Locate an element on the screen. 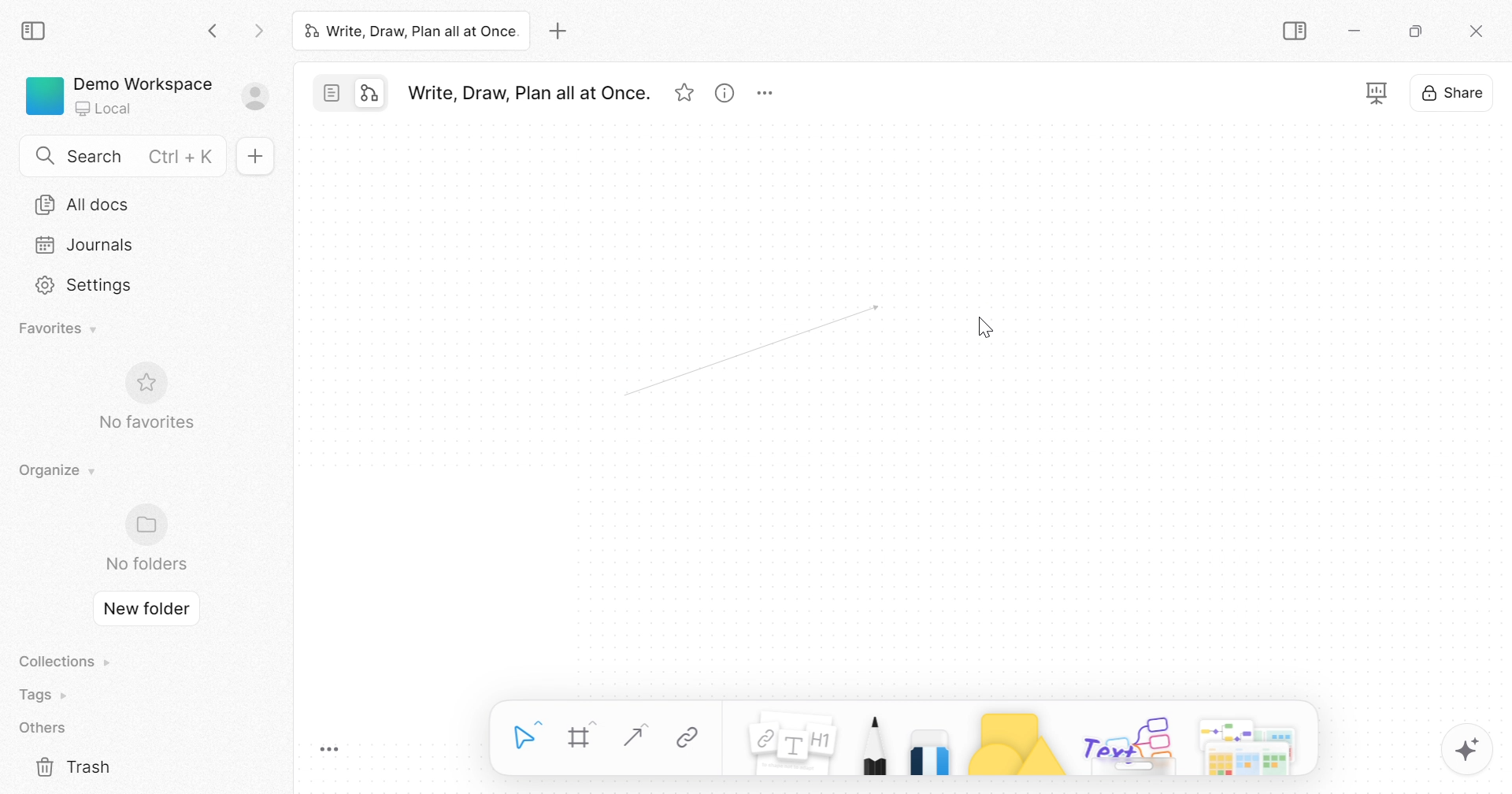 Image resolution: width=1512 pixels, height=794 pixels. No favorites is located at coordinates (144, 422).